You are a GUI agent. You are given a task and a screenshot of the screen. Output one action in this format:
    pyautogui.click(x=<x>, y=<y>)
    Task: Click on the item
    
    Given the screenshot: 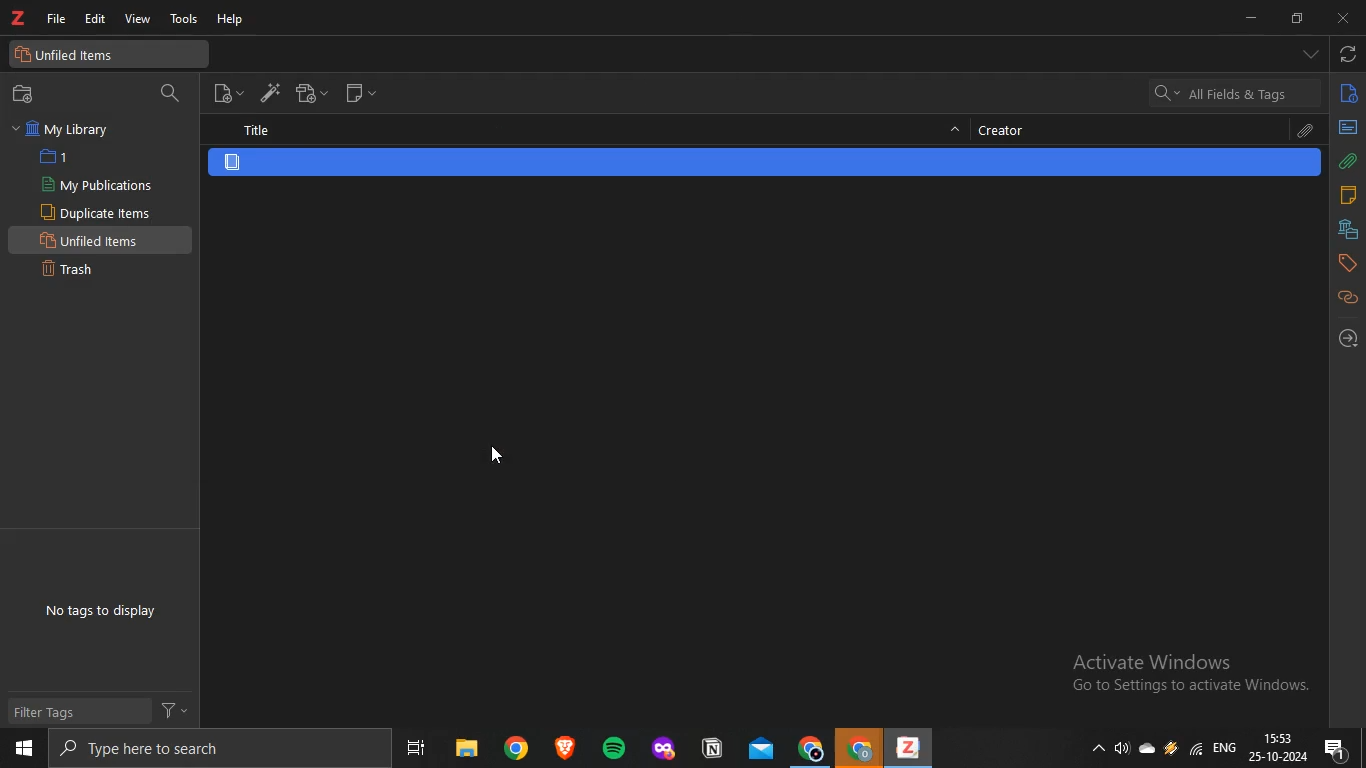 What is the action you would take?
    pyautogui.click(x=233, y=163)
    